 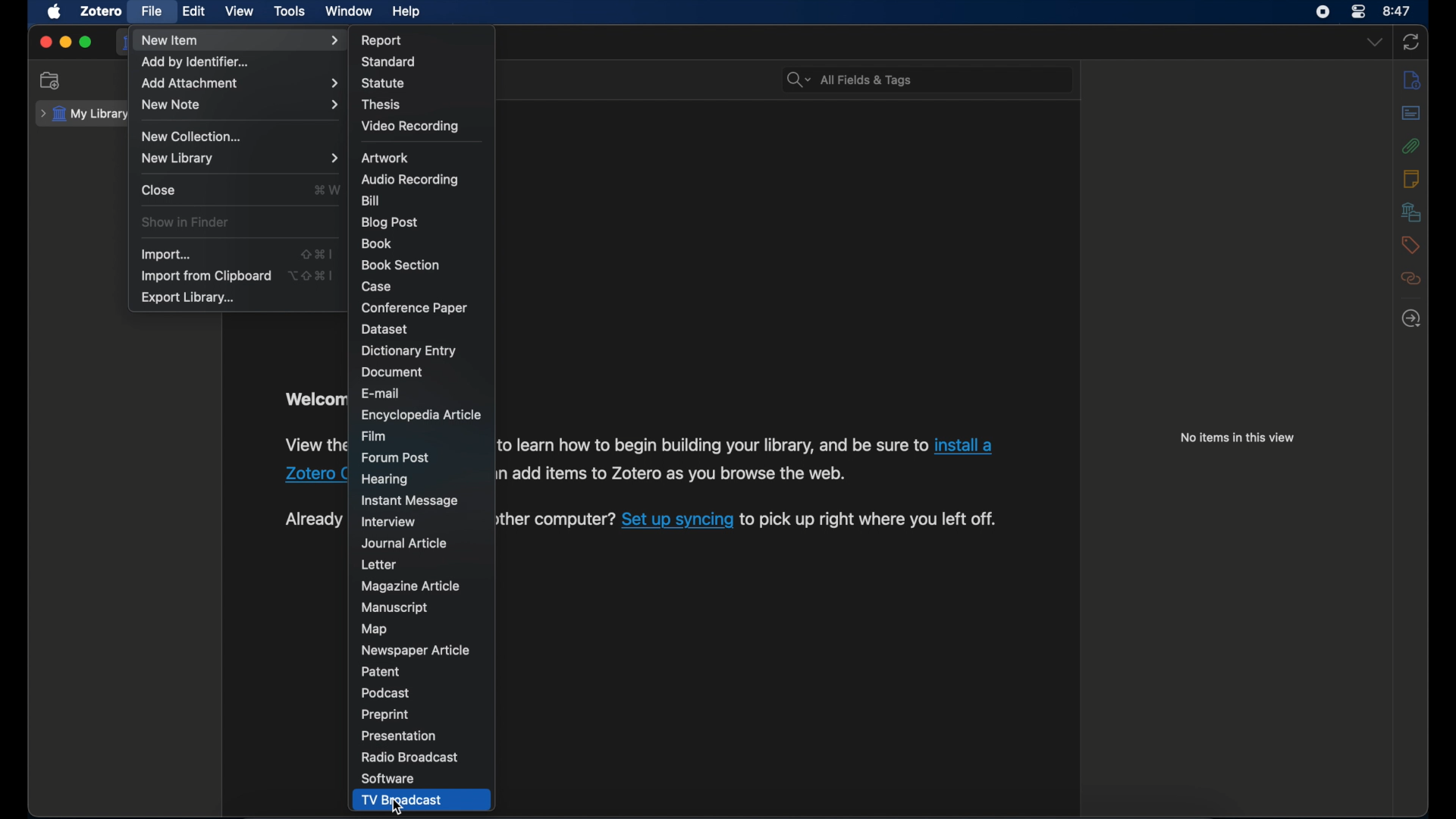 I want to click on bill, so click(x=370, y=201).